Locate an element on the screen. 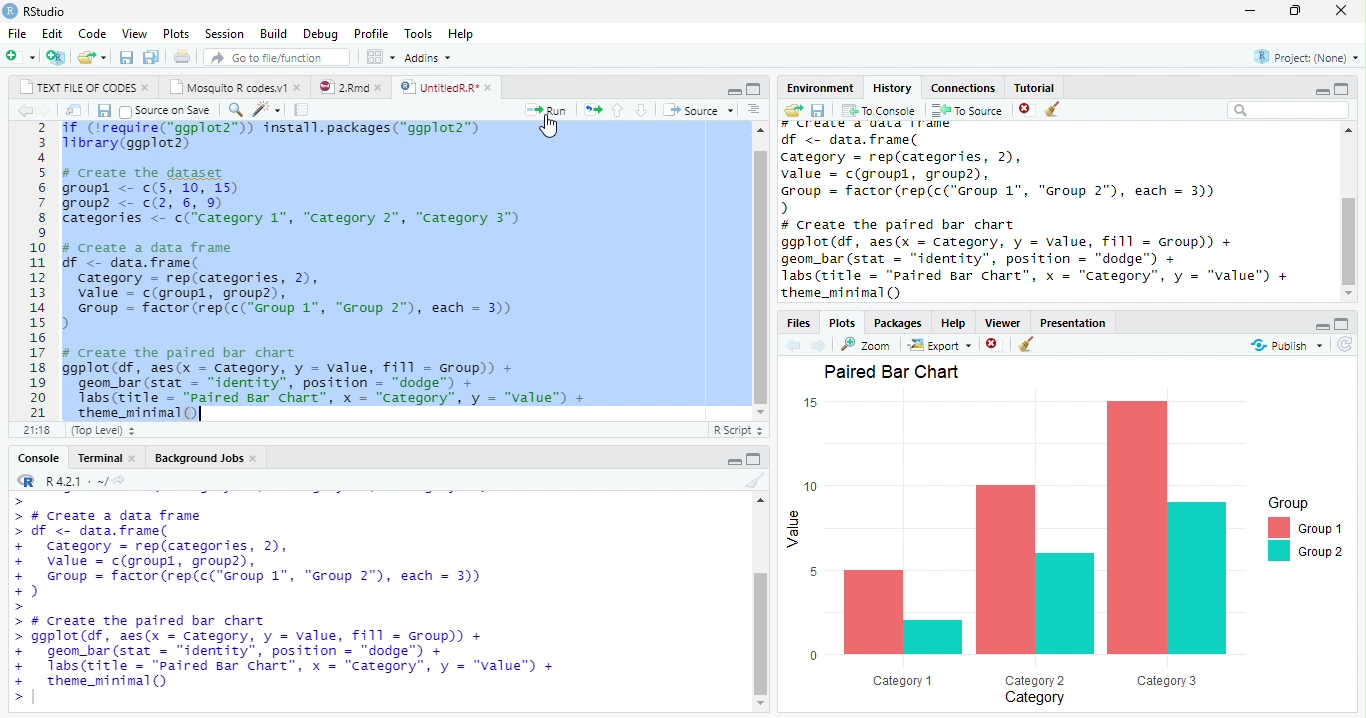 This screenshot has height=718, width=1366. go back is located at coordinates (21, 110).